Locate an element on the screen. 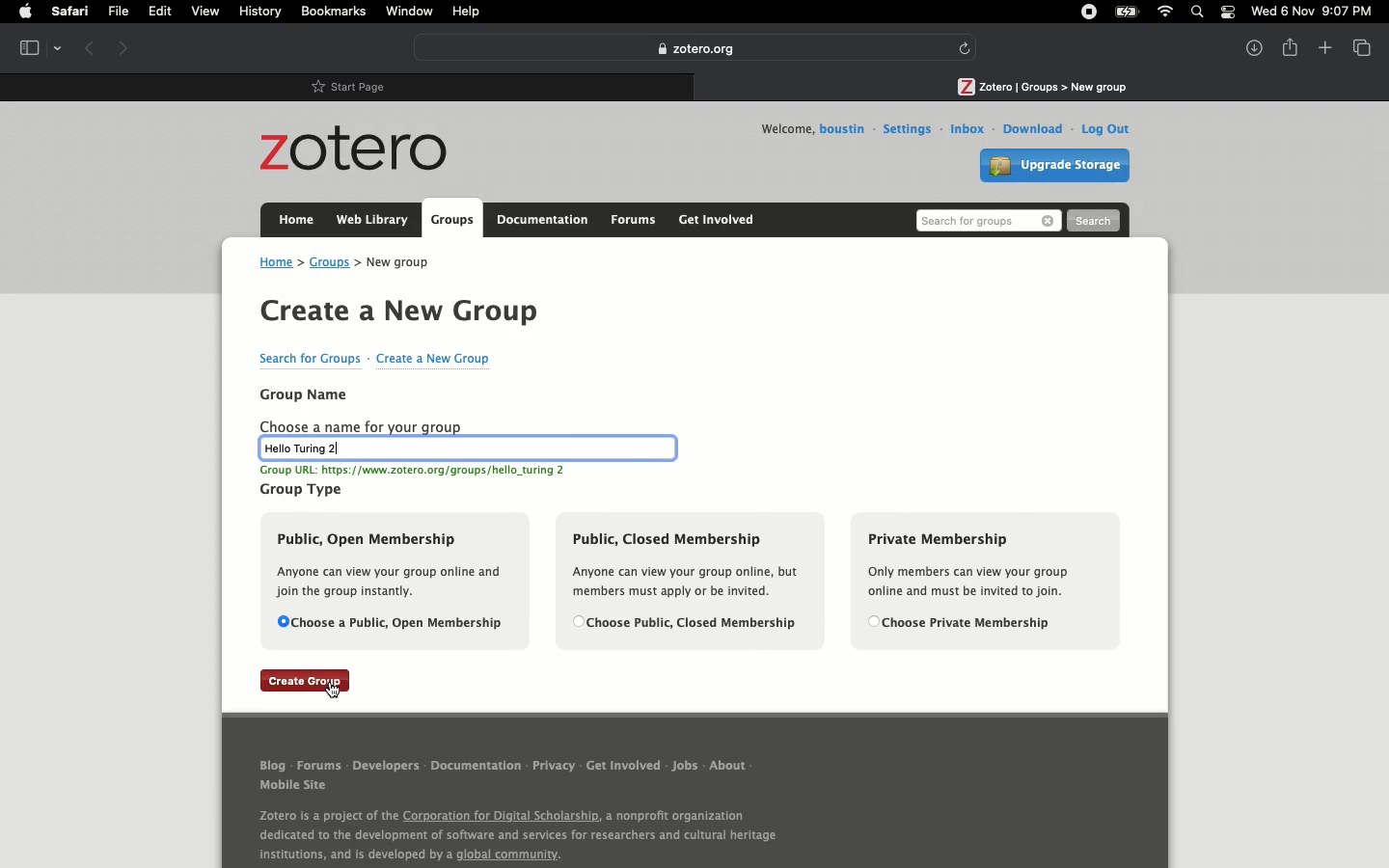  Upgrade storage is located at coordinates (1057, 168).